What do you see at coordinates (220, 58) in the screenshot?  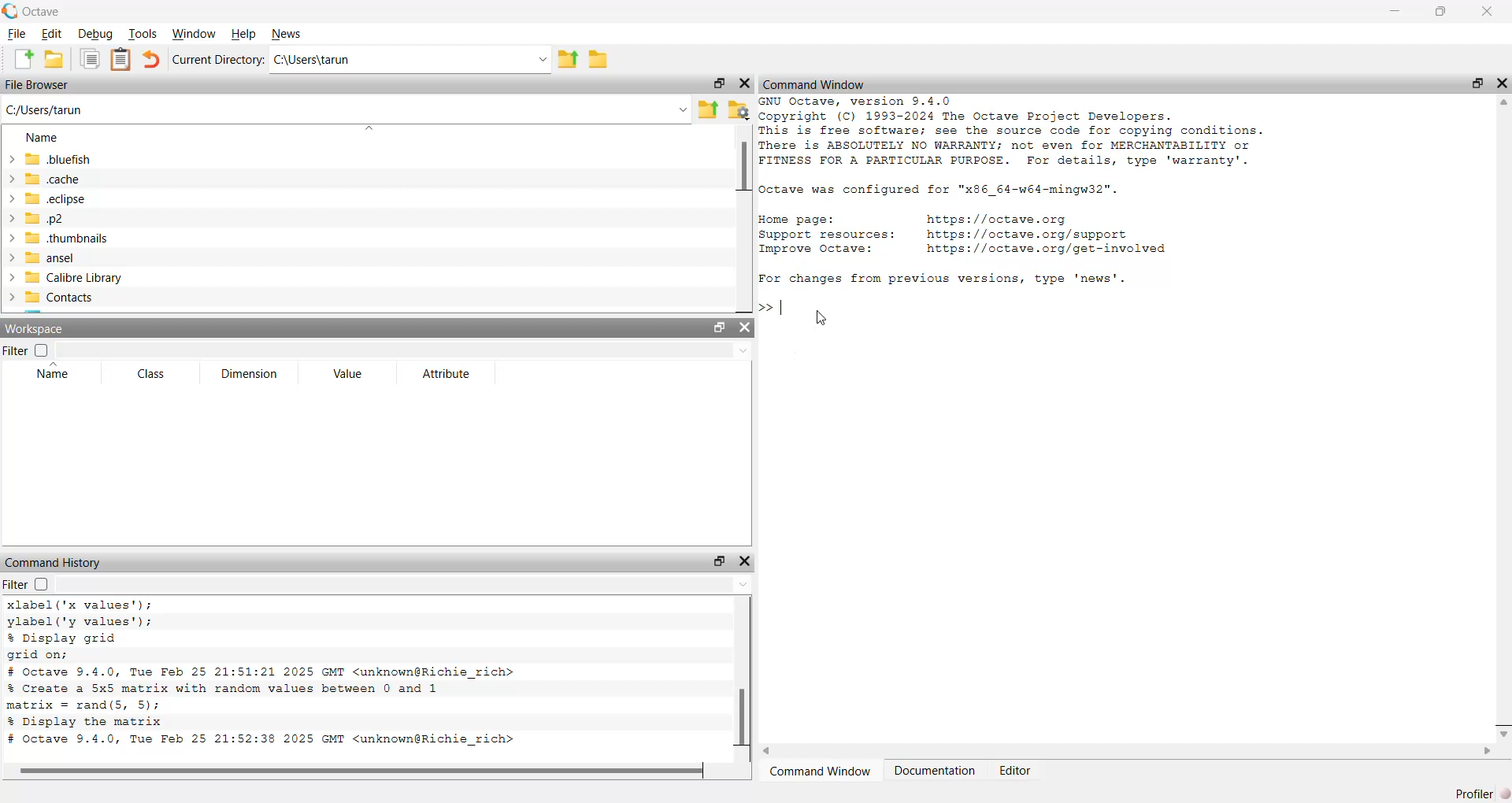 I see `Current Directory:` at bounding box center [220, 58].